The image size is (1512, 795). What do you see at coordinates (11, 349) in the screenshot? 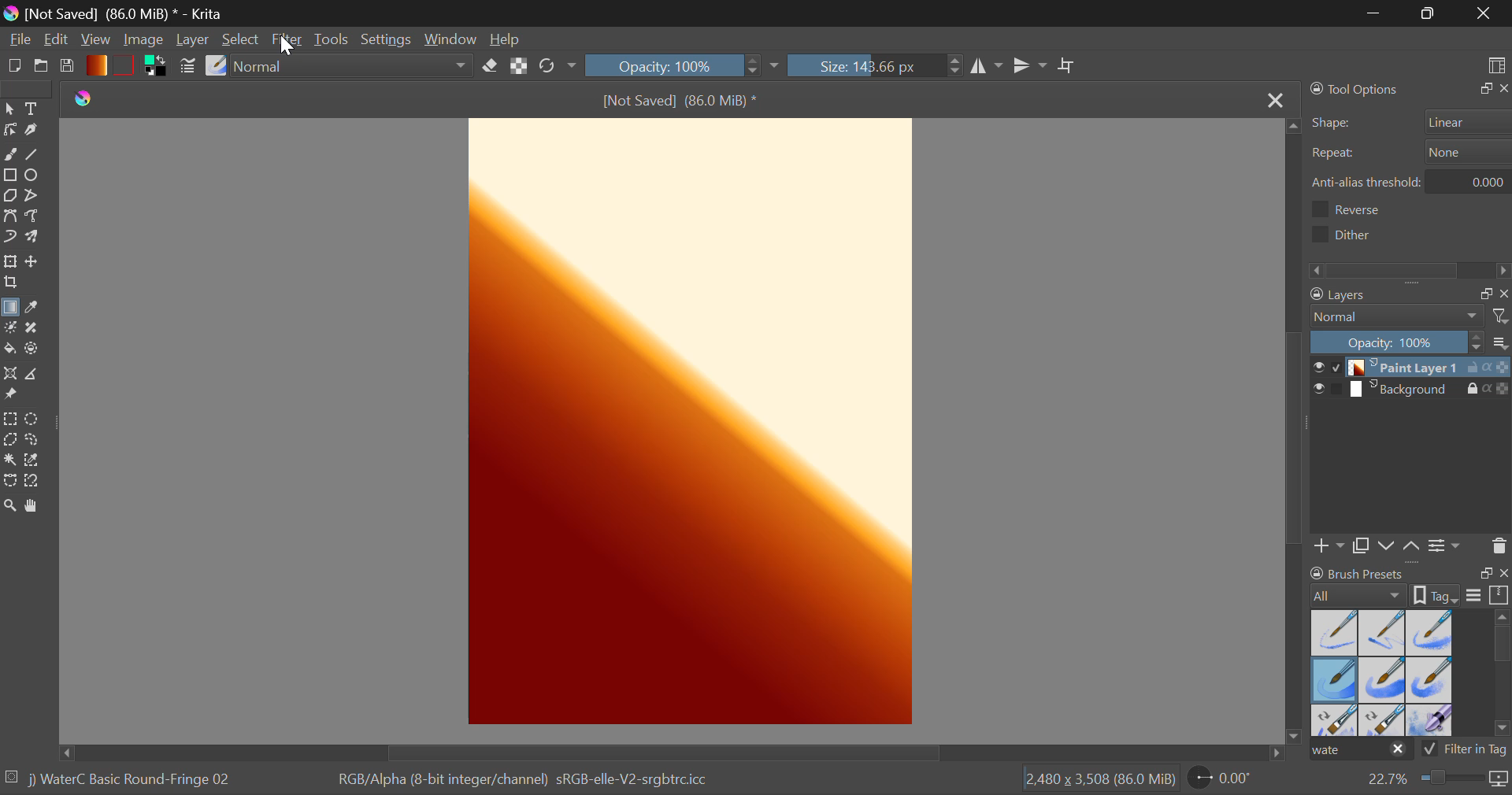
I see `Fill` at bounding box center [11, 349].